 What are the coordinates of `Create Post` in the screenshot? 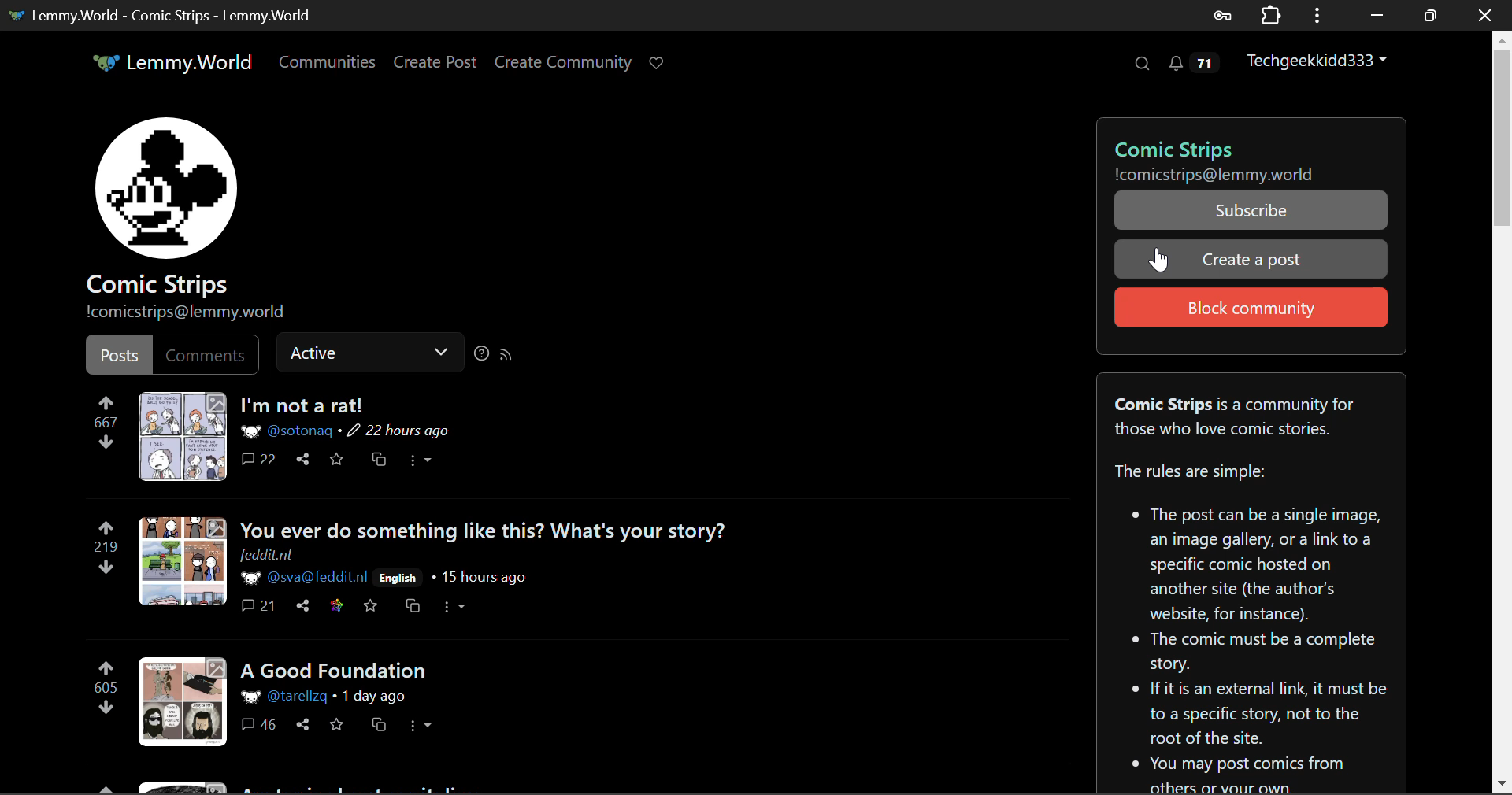 It's located at (434, 63).